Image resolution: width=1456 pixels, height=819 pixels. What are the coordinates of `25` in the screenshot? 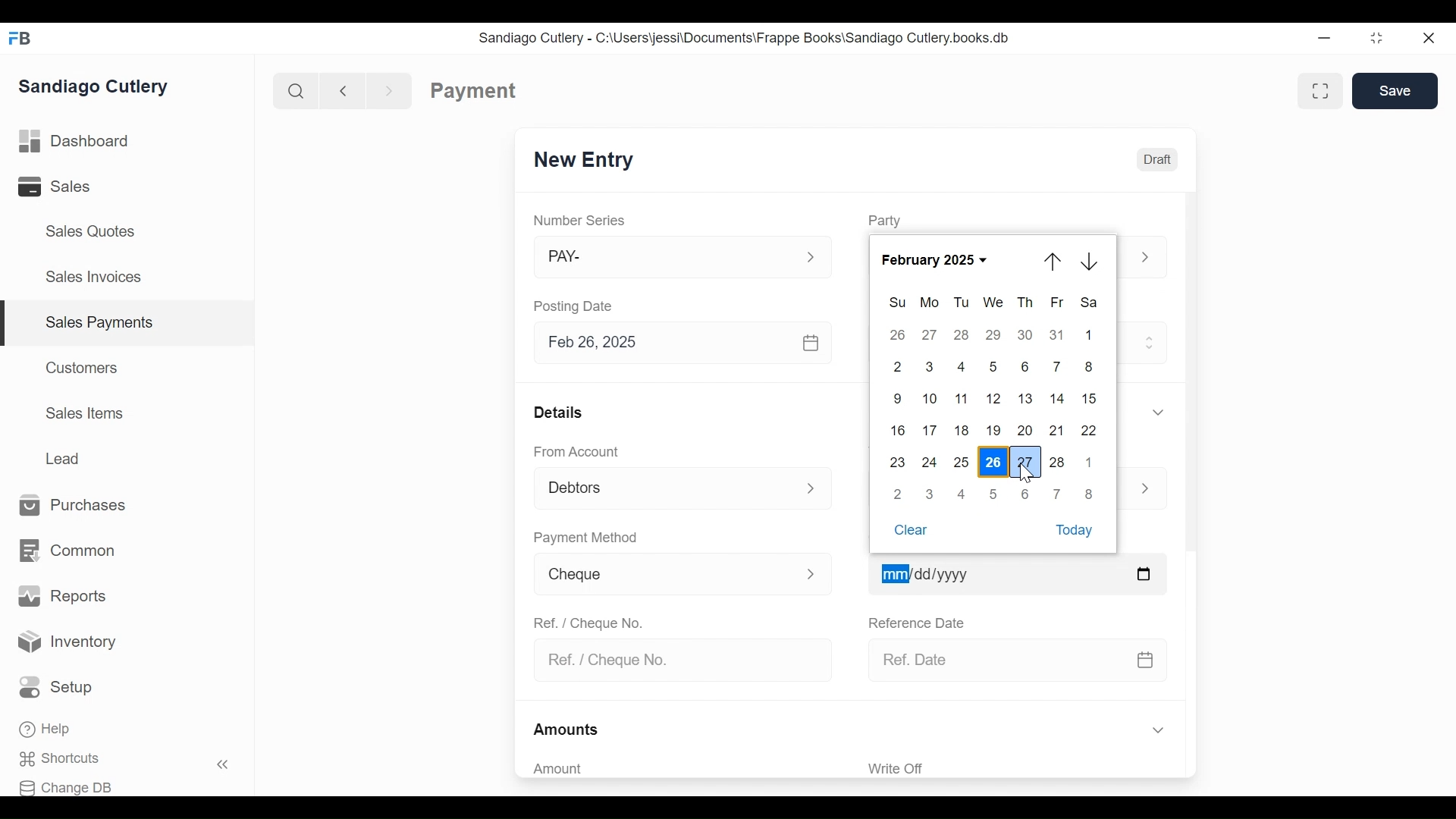 It's located at (962, 461).